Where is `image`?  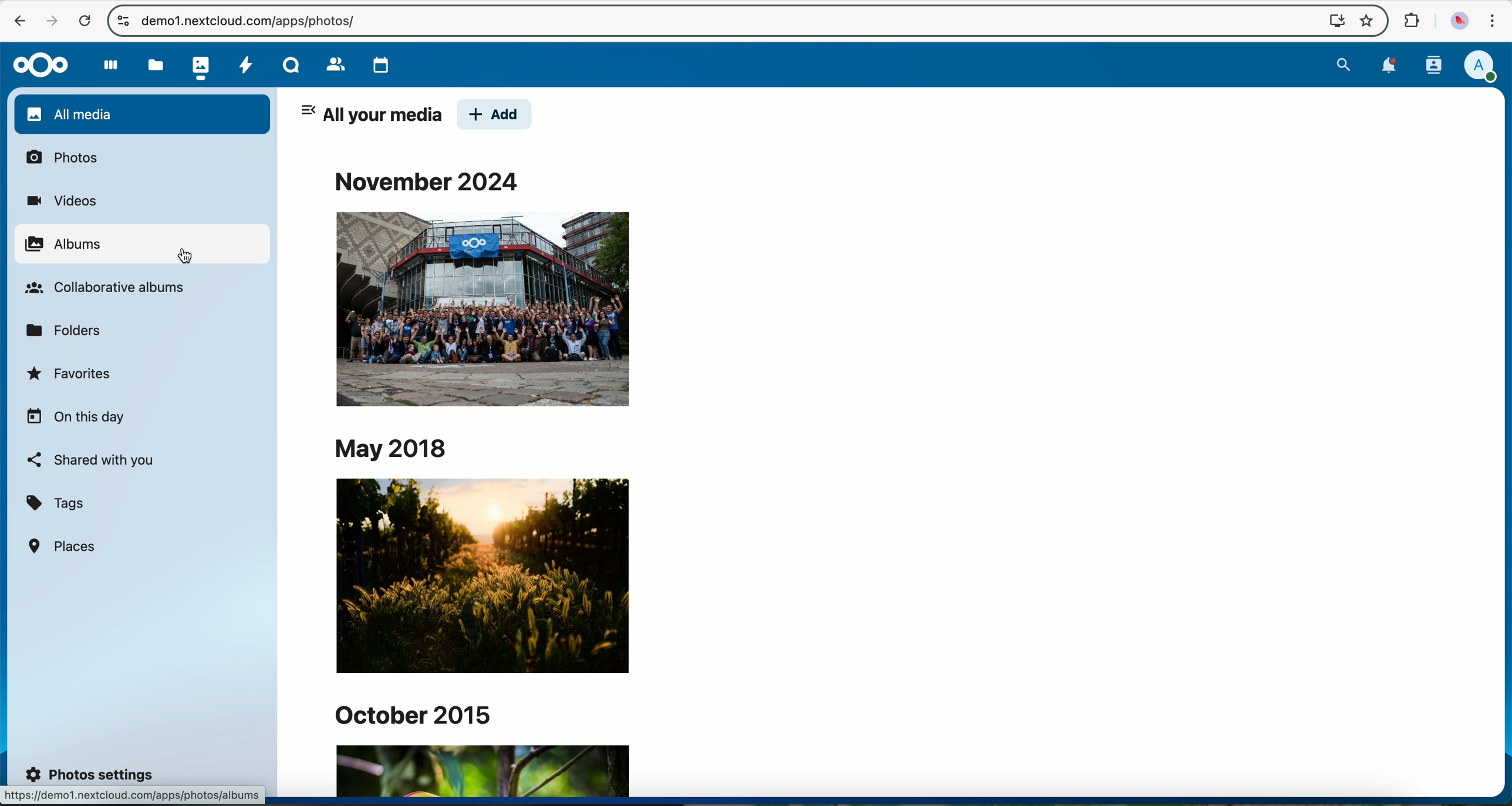 image is located at coordinates (485, 775).